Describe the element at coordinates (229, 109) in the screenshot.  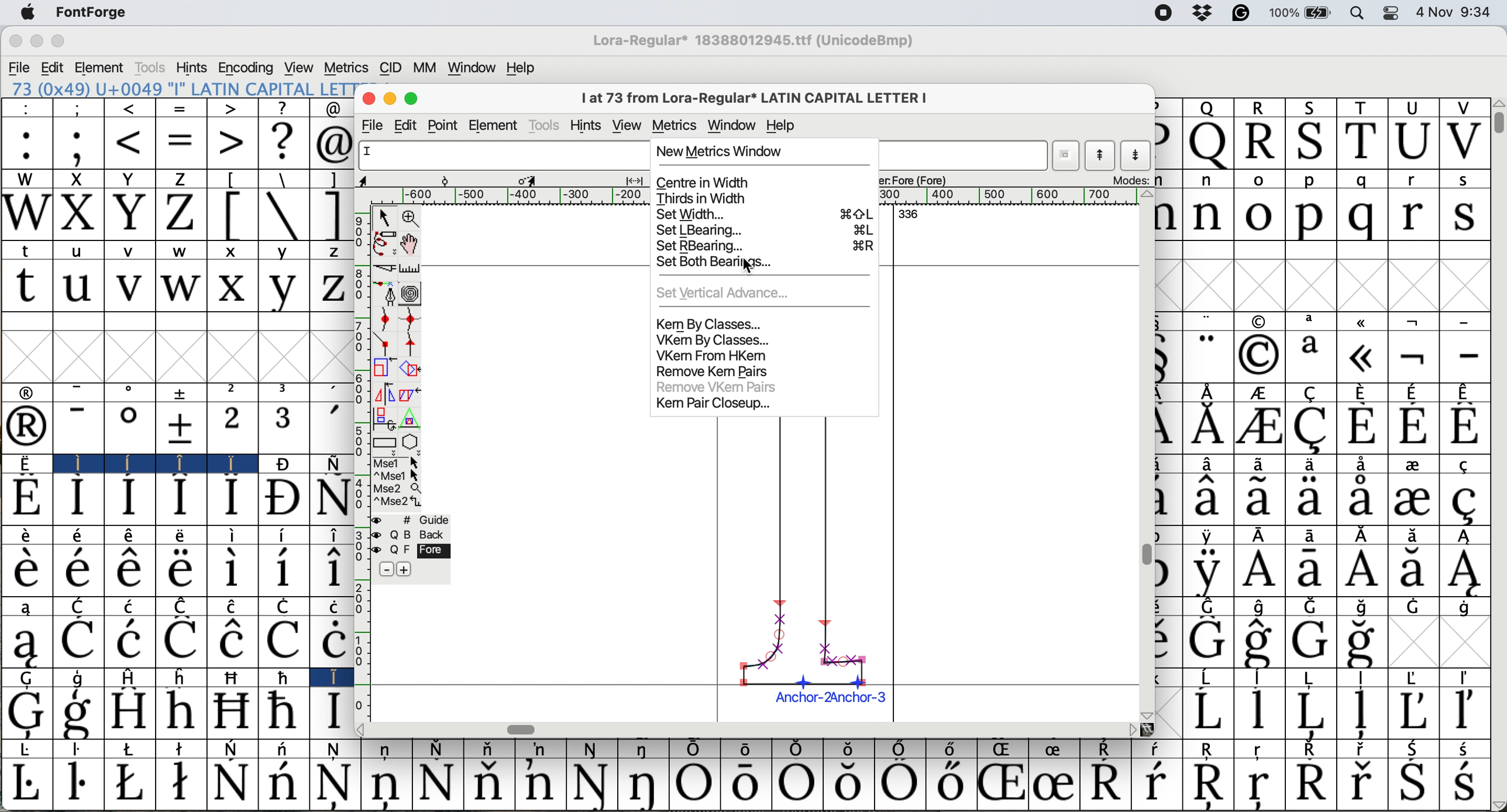
I see `>` at that location.